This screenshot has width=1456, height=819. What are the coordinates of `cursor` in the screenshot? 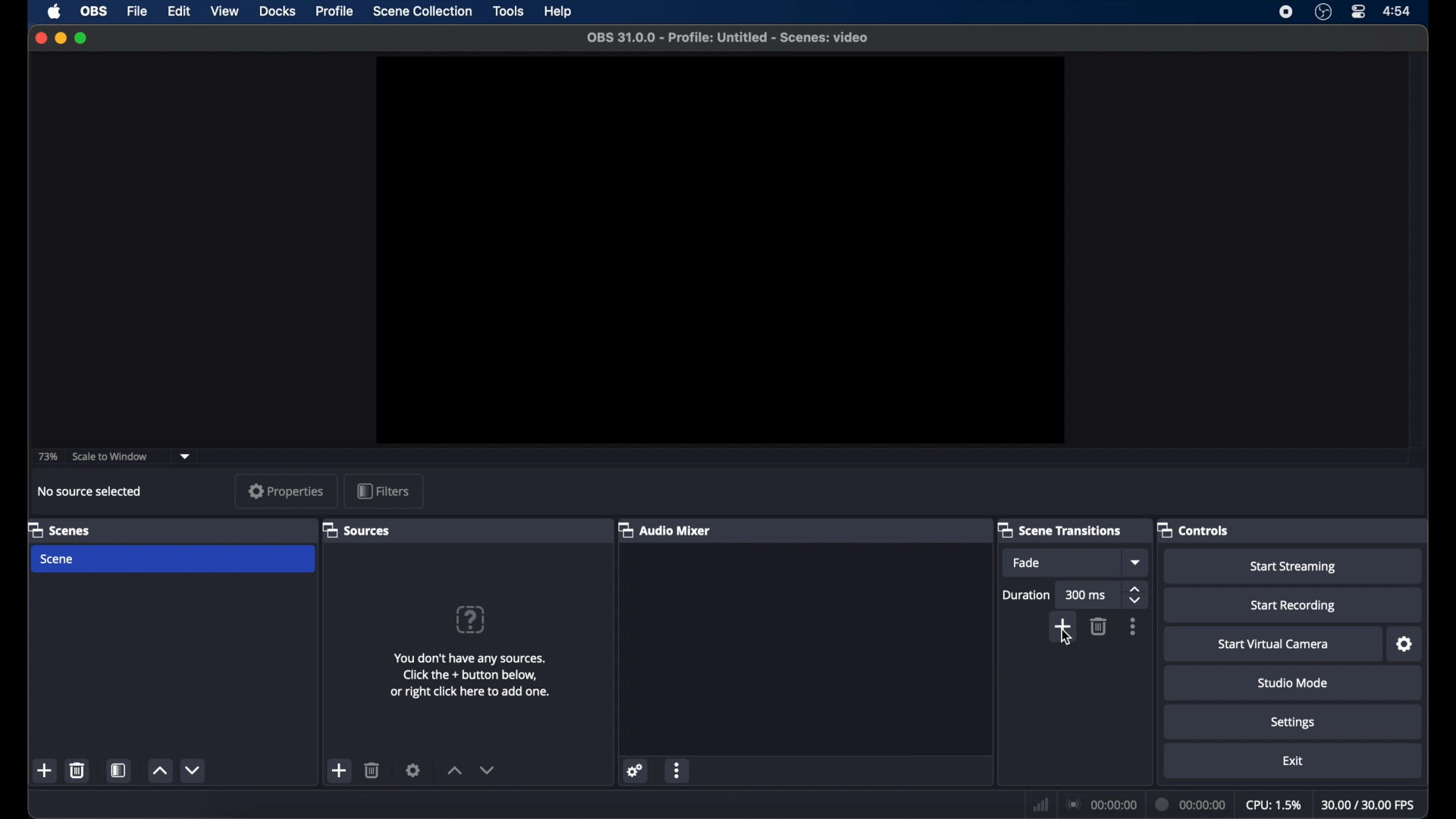 It's located at (1065, 640).